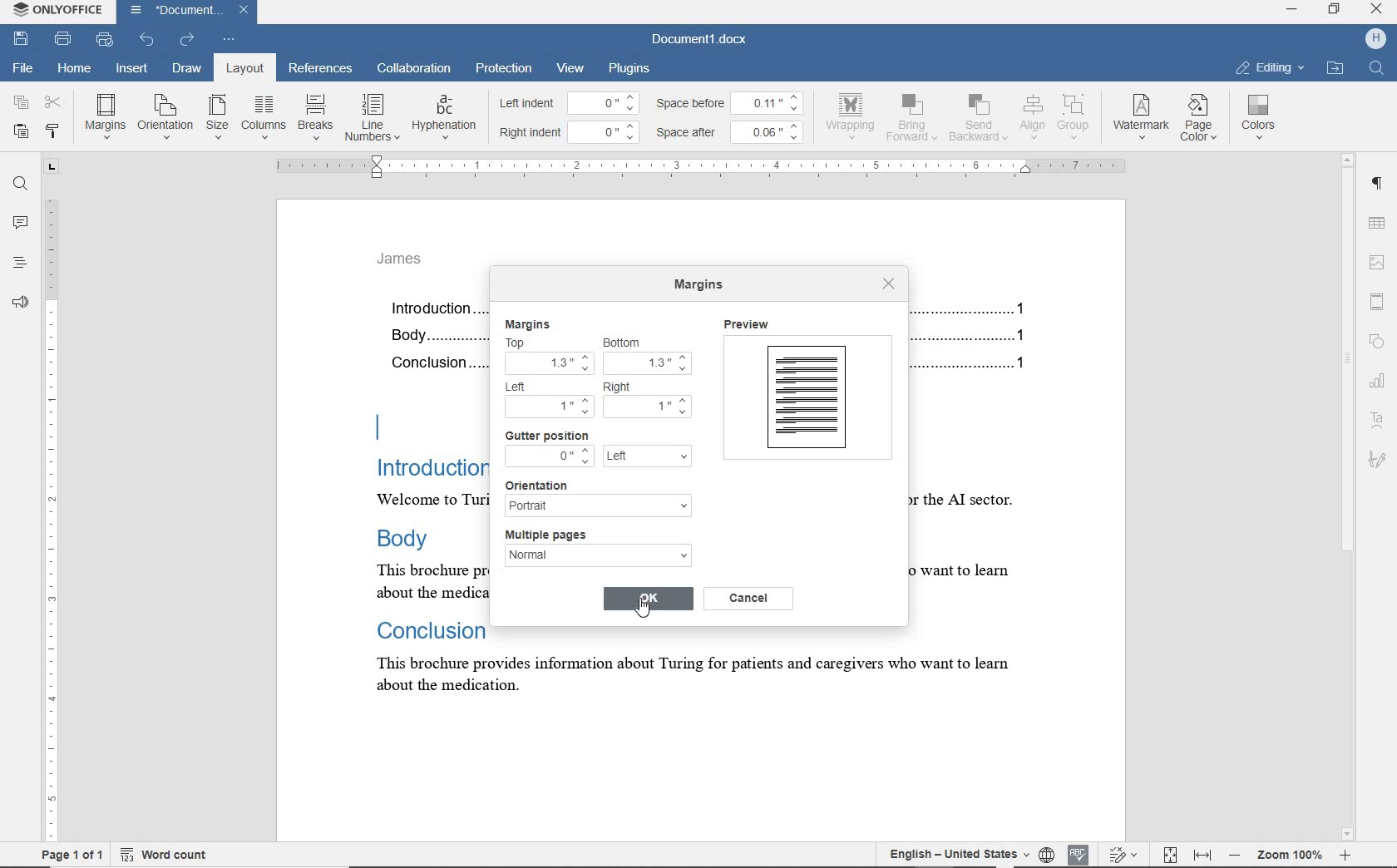 The width and height of the screenshot is (1397, 868). I want to click on collaboration, so click(415, 70).